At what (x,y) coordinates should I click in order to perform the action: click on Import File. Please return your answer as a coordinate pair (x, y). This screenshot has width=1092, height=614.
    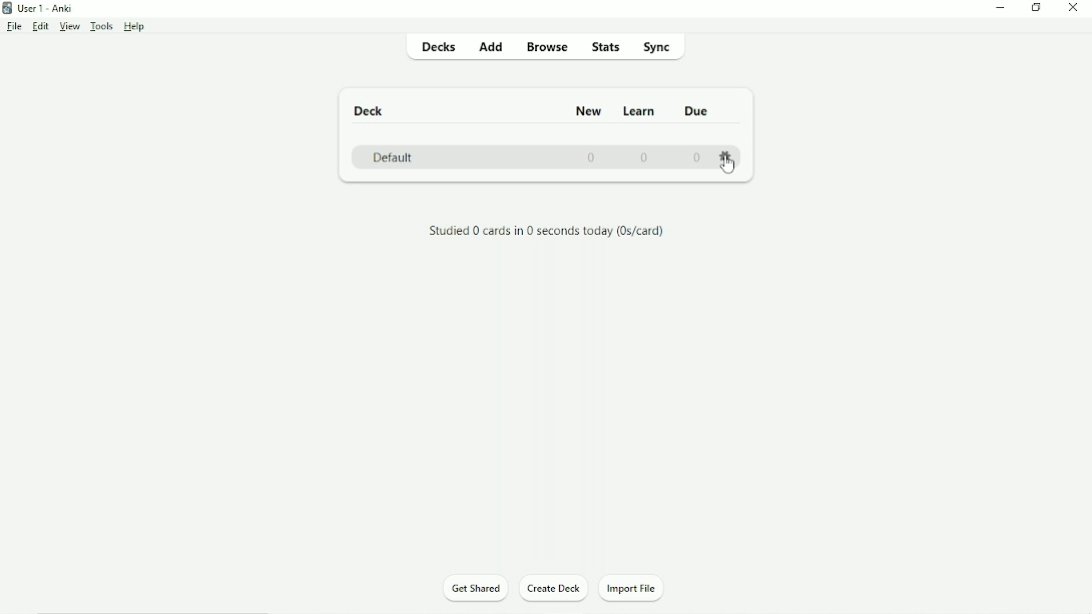
    Looking at the image, I should click on (632, 589).